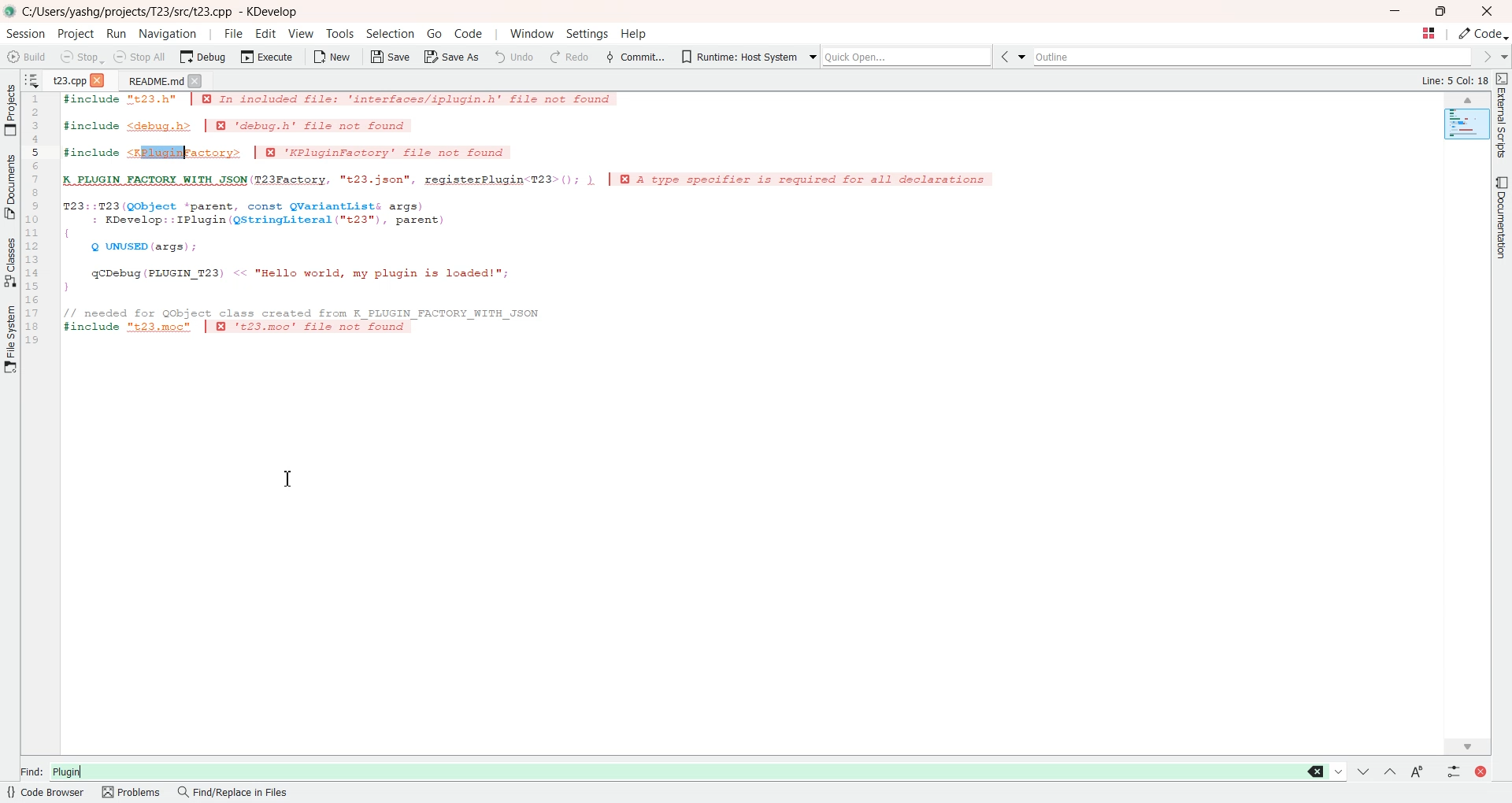 The height and width of the screenshot is (803, 1512). What do you see at coordinates (77, 34) in the screenshot?
I see `Project` at bounding box center [77, 34].